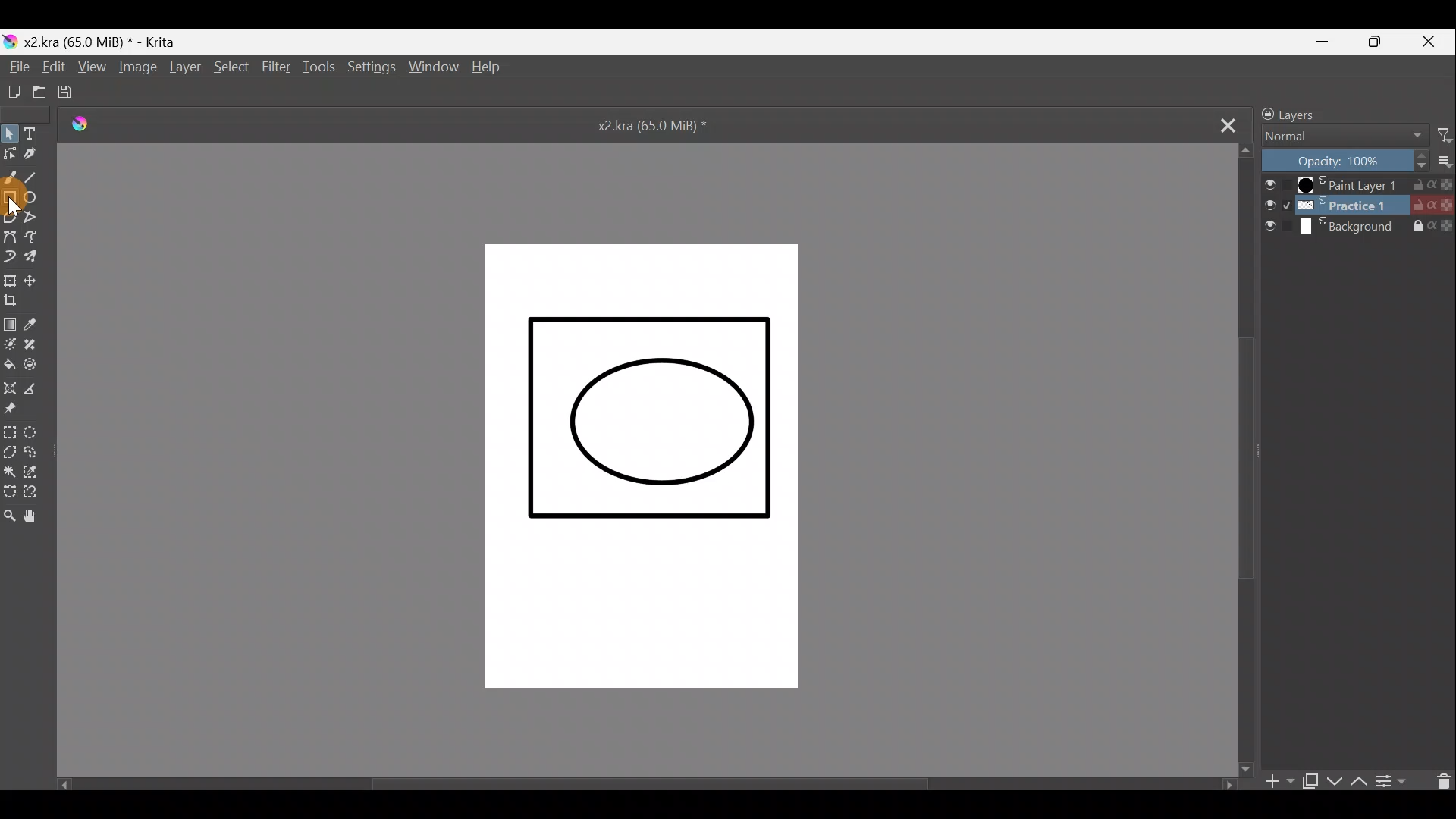 The height and width of the screenshot is (819, 1456). Describe the element at coordinates (36, 155) in the screenshot. I see `Calligraphy` at that location.